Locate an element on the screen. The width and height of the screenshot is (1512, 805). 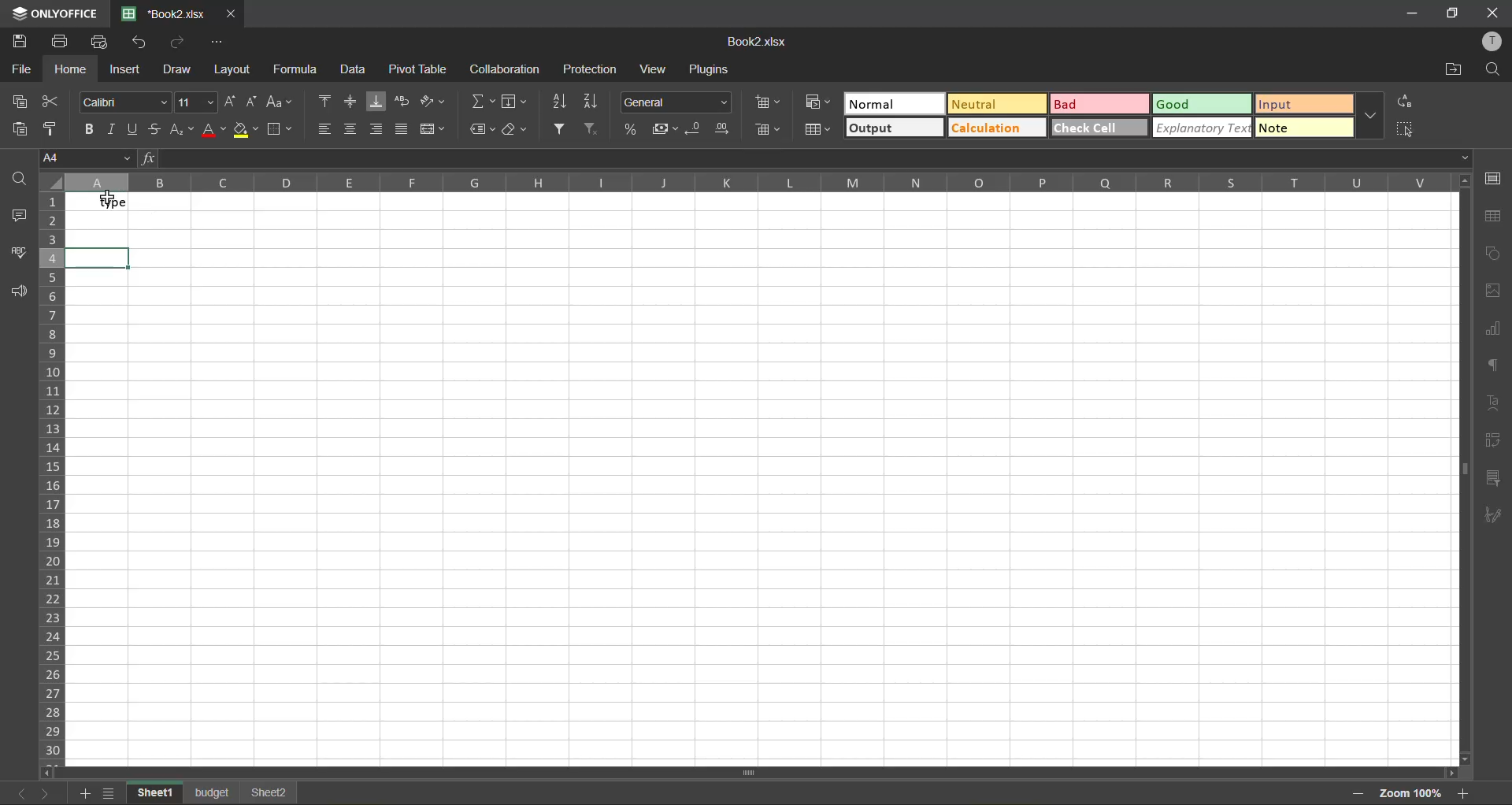
input is located at coordinates (1299, 105).